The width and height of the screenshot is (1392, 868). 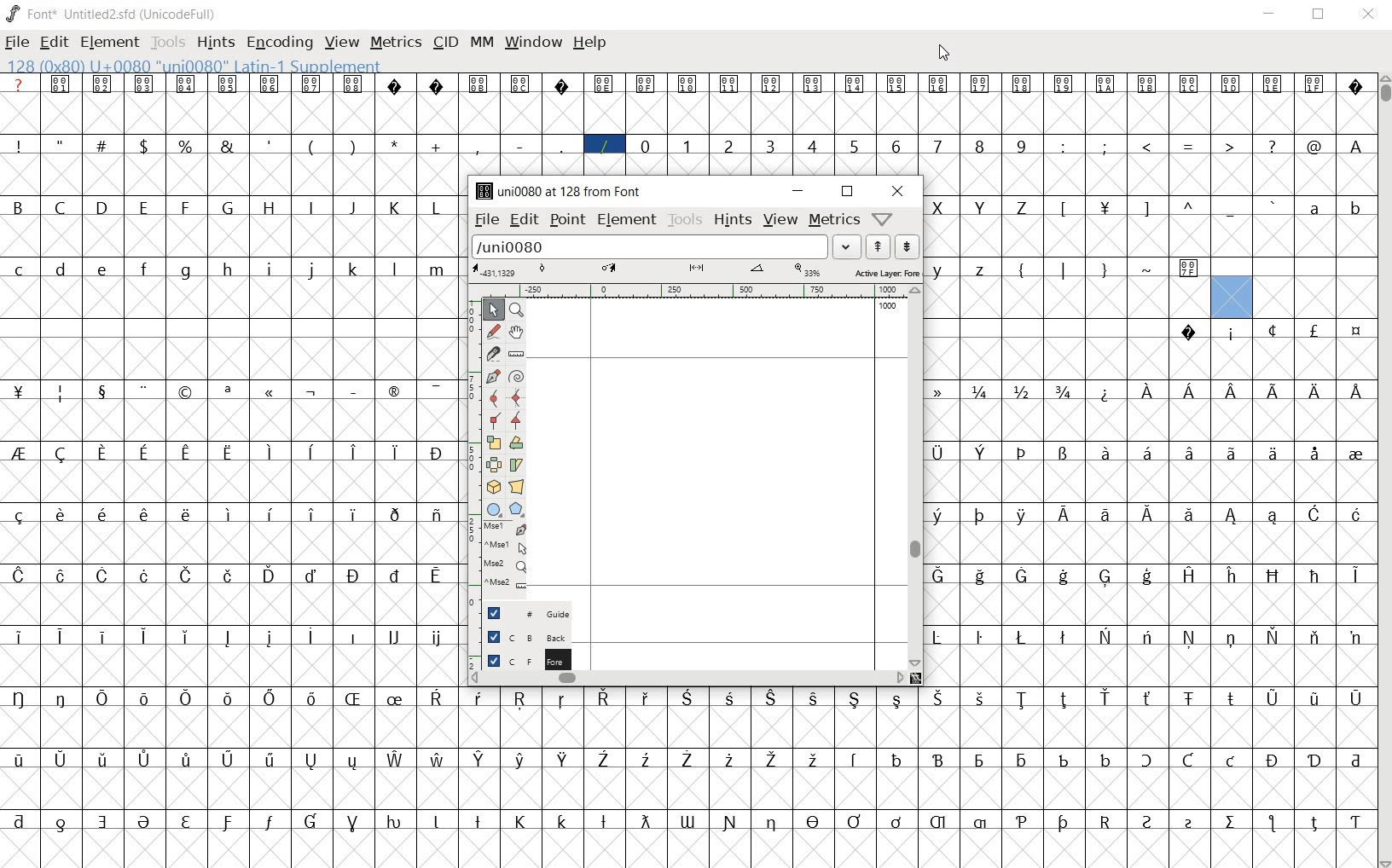 What do you see at coordinates (229, 269) in the screenshot?
I see `glyph` at bounding box center [229, 269].